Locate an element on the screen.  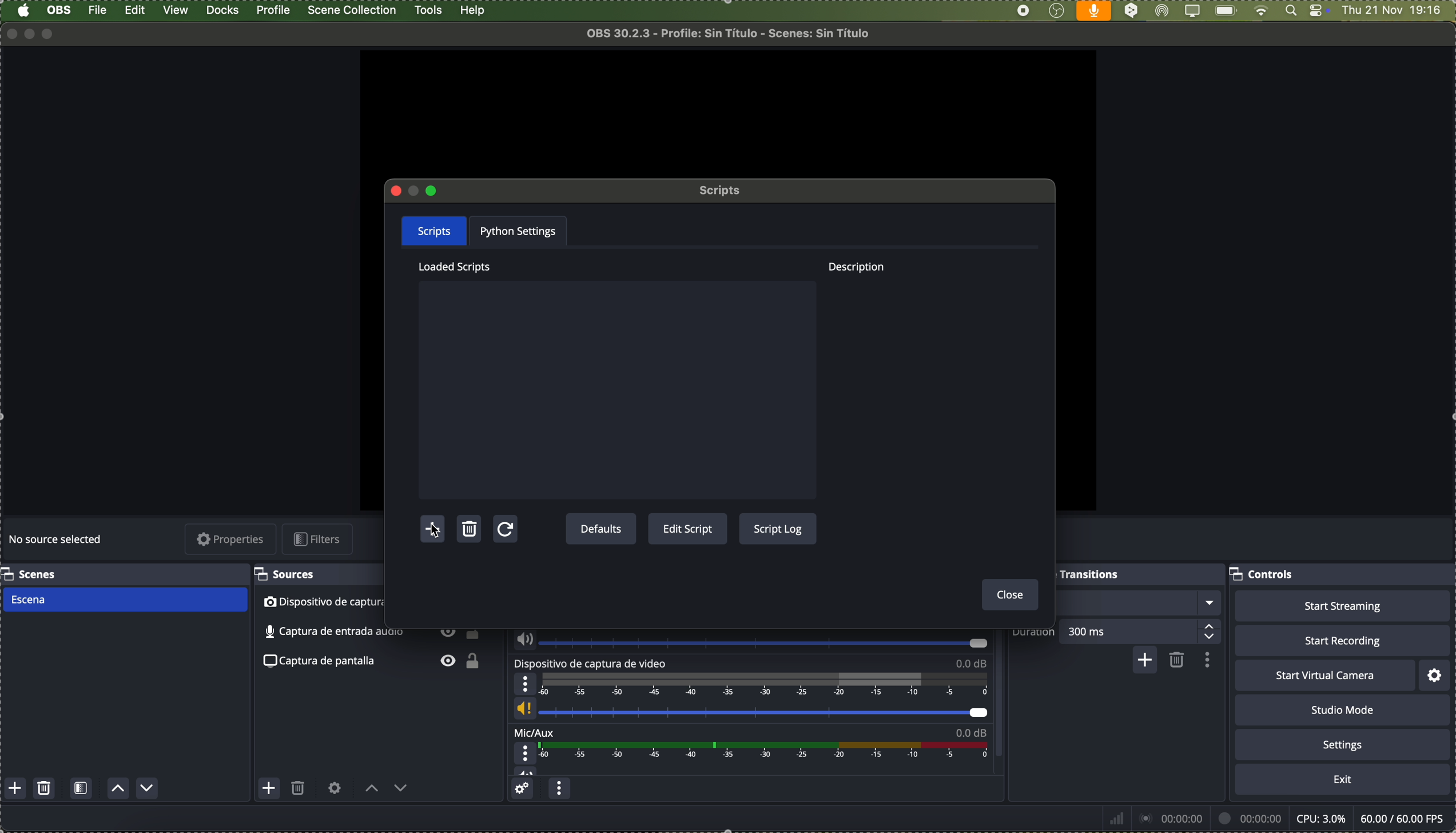
voice activated is located at coordinates (1094, 11).